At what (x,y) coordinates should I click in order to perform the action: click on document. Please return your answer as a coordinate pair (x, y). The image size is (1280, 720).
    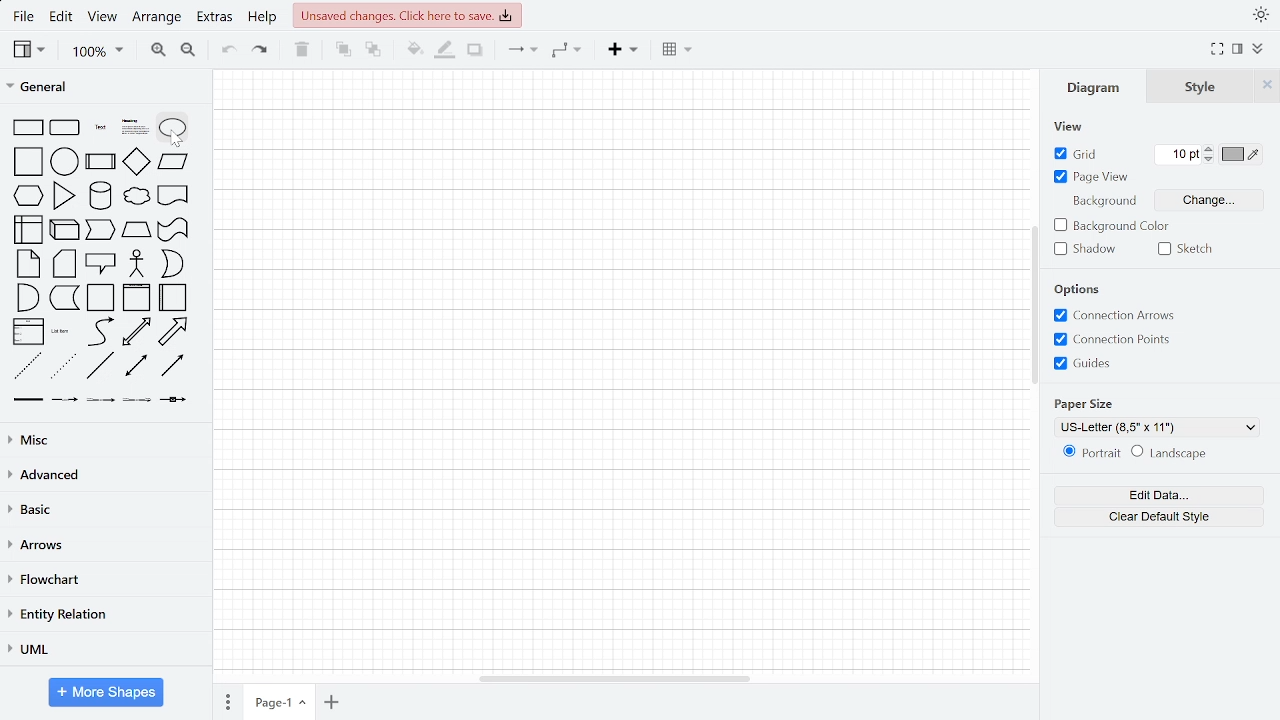
    Looking at the image, I should click on (64, 299).